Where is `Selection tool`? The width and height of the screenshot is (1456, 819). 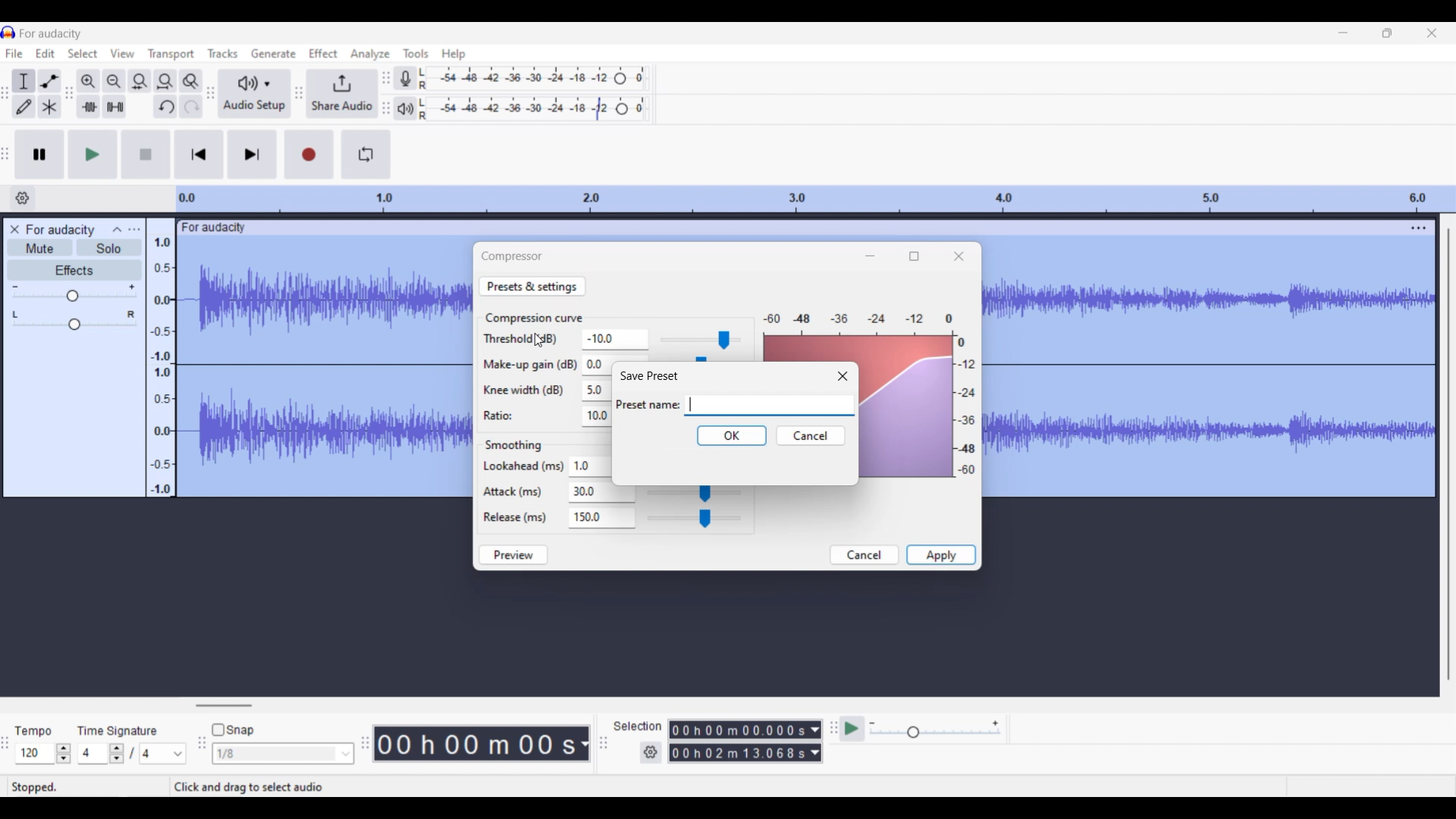 Selection tool is located at coordinates (24, 81).